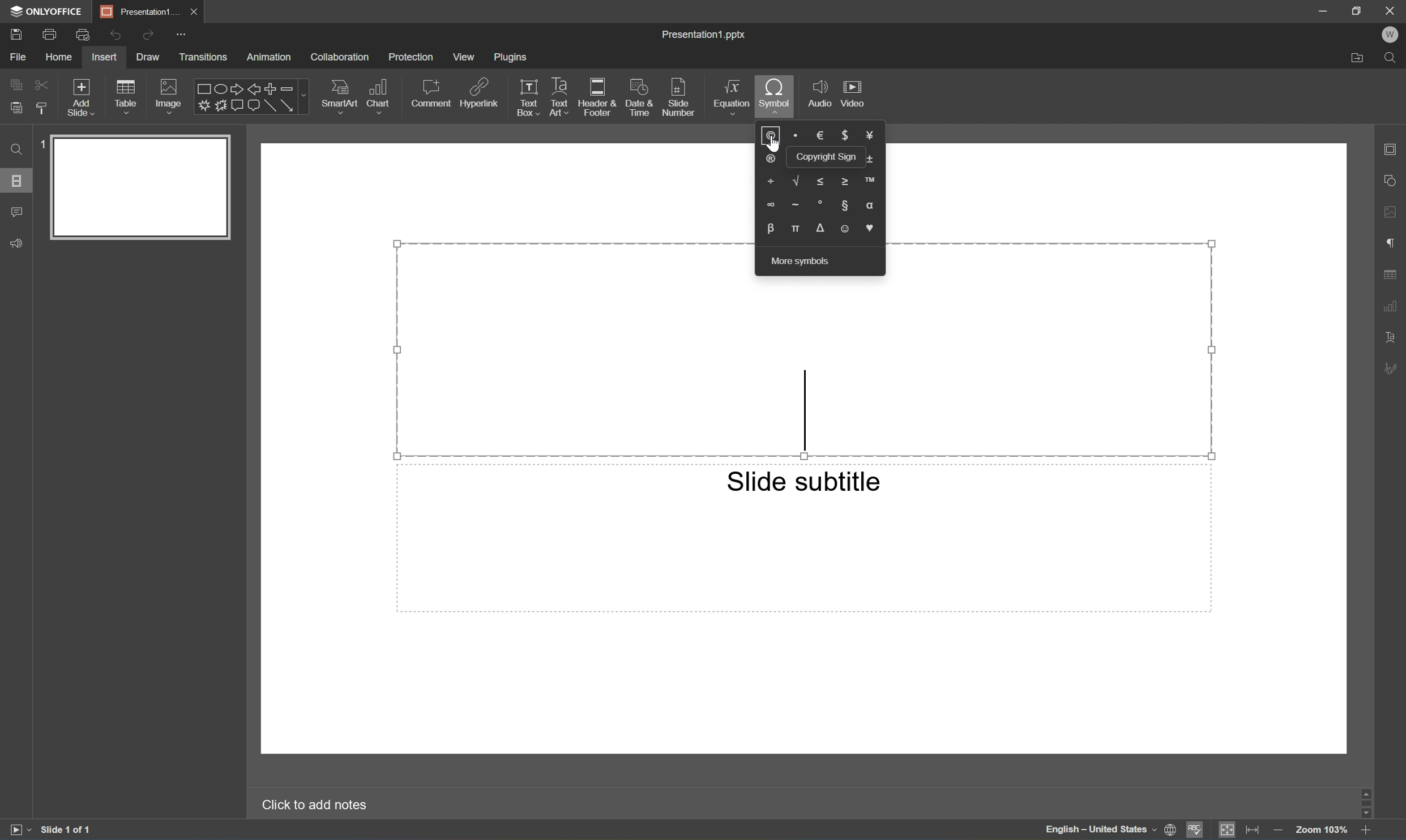 Image resolution: width=1406 pixels, height=840 pixels. Describe the element at coordinates (529, 98) in the screenshot. I see `Text Box` at that location.